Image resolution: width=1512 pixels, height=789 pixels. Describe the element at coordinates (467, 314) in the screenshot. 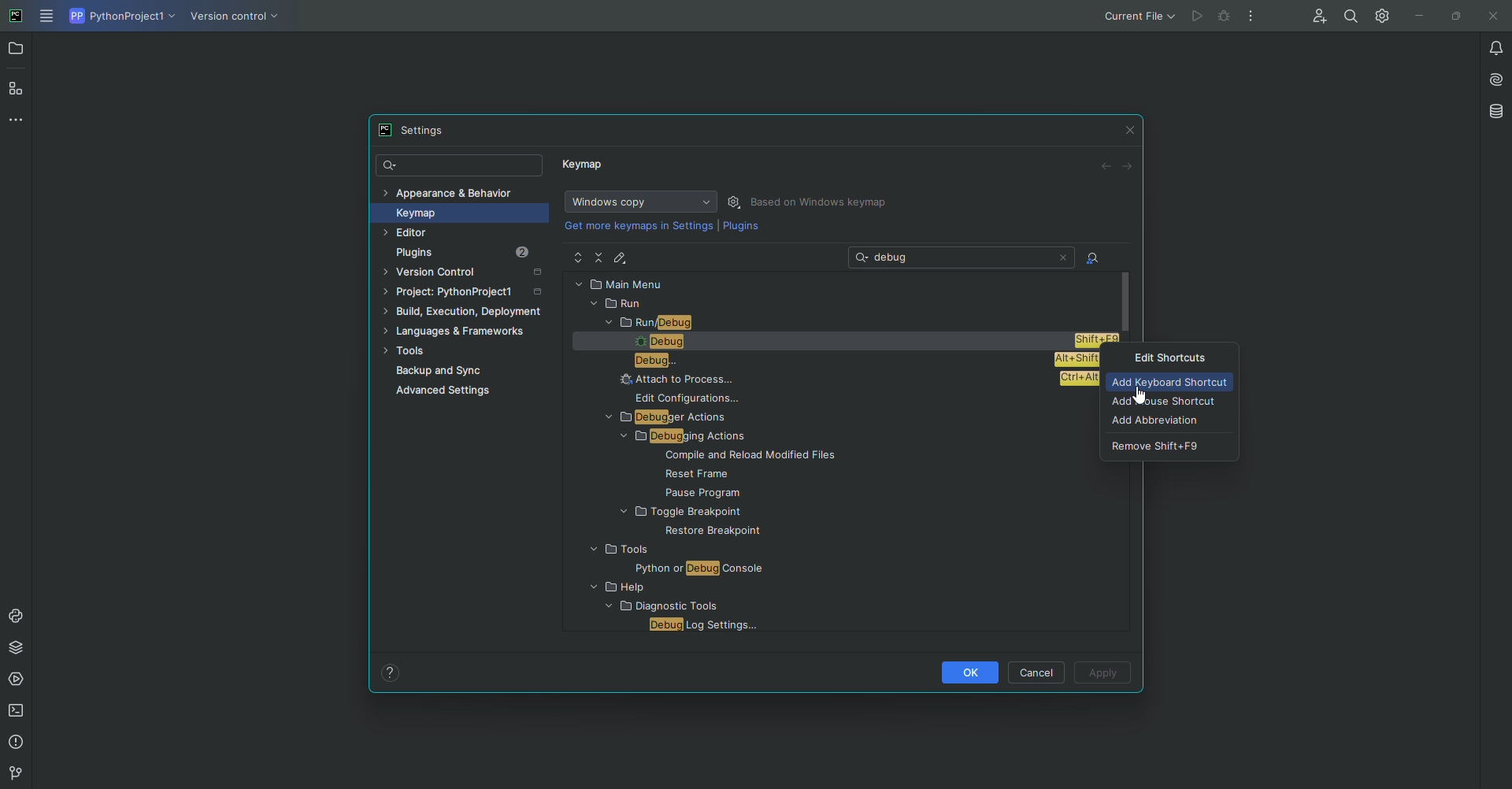

I see `Build, execution, development` at that location.